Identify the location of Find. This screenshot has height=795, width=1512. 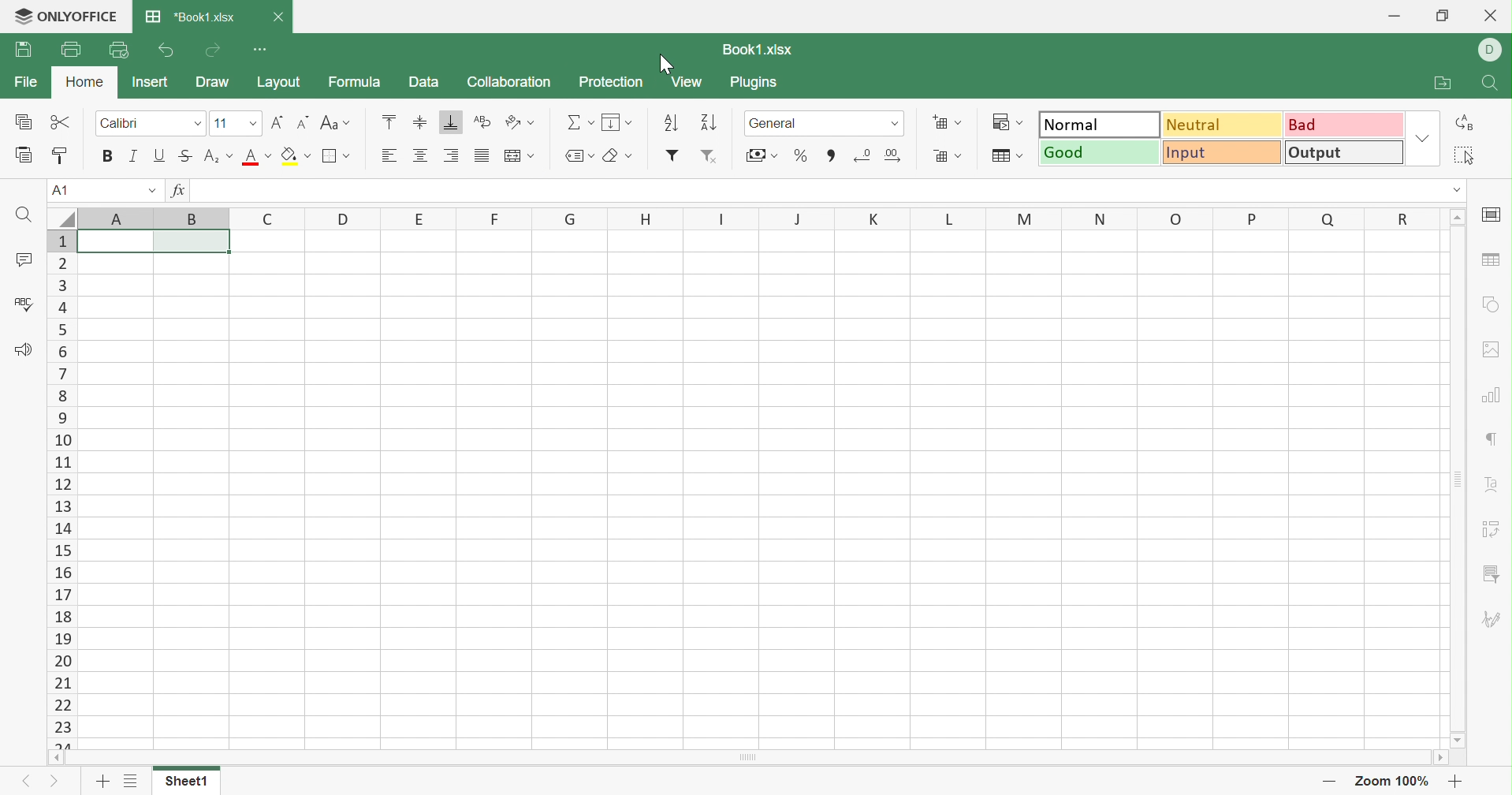
(1495, 86).